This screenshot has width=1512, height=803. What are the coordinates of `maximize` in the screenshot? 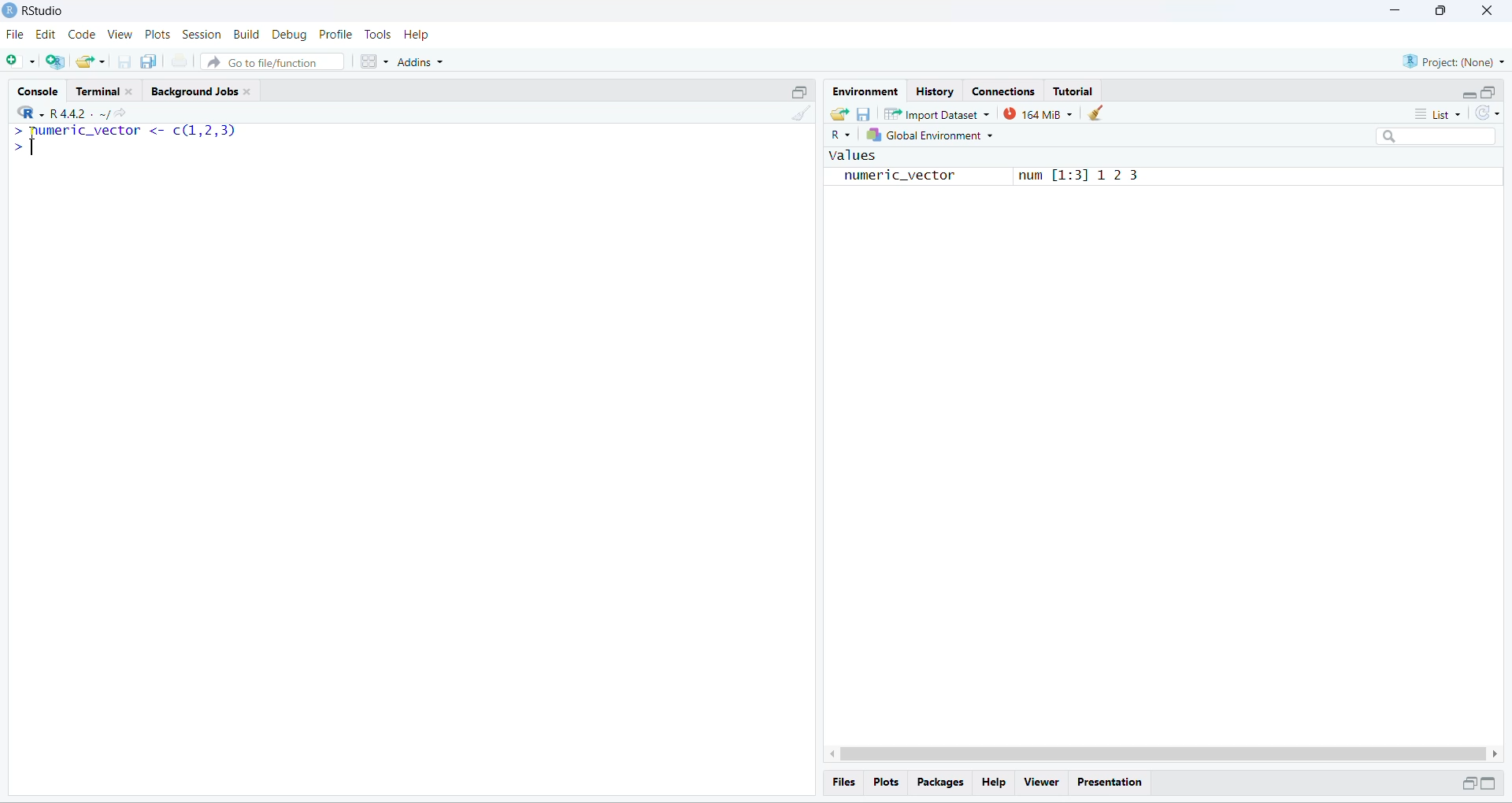 It's located at (1488, 92).